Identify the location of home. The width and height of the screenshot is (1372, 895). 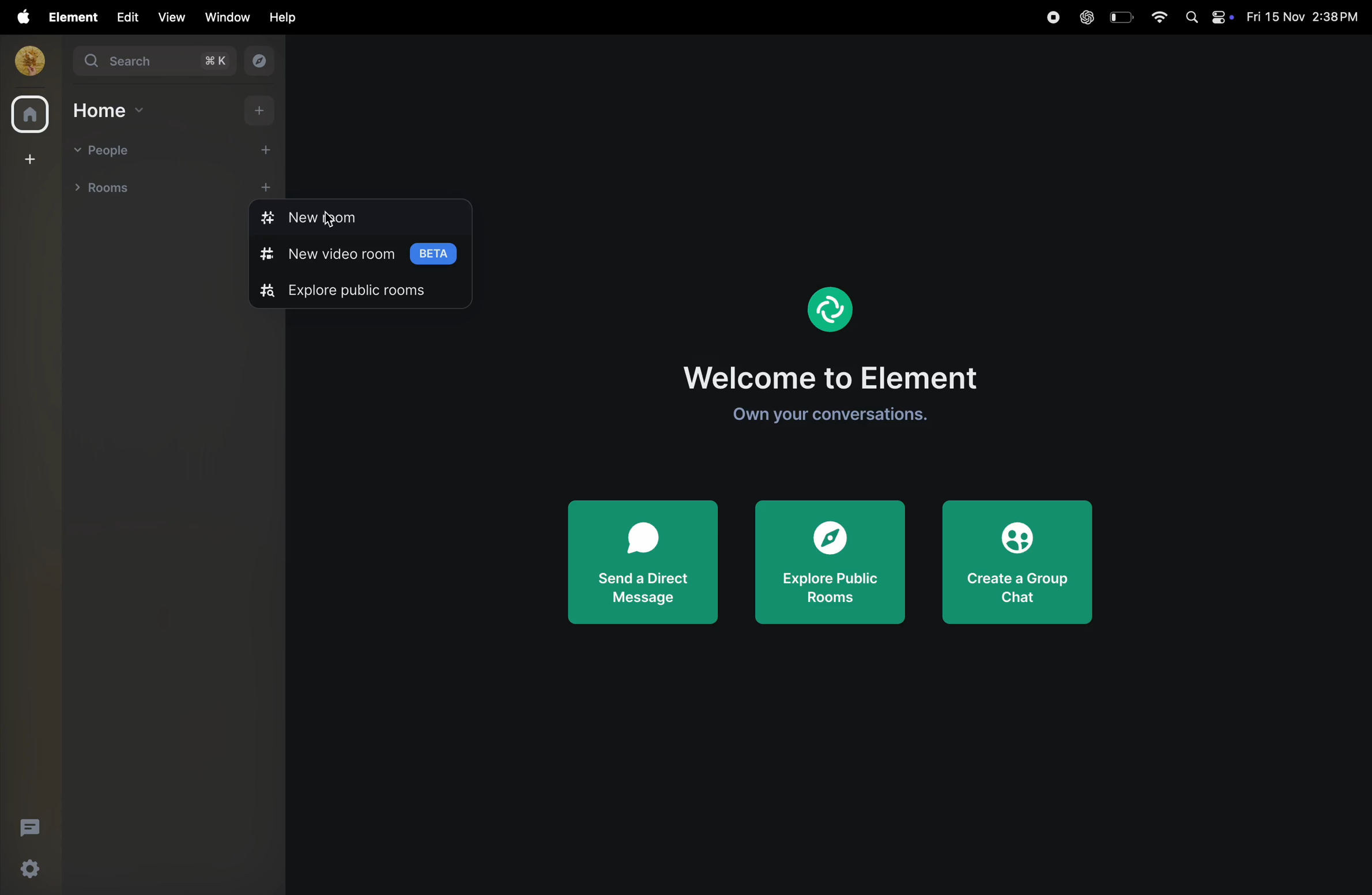
(111, 110).